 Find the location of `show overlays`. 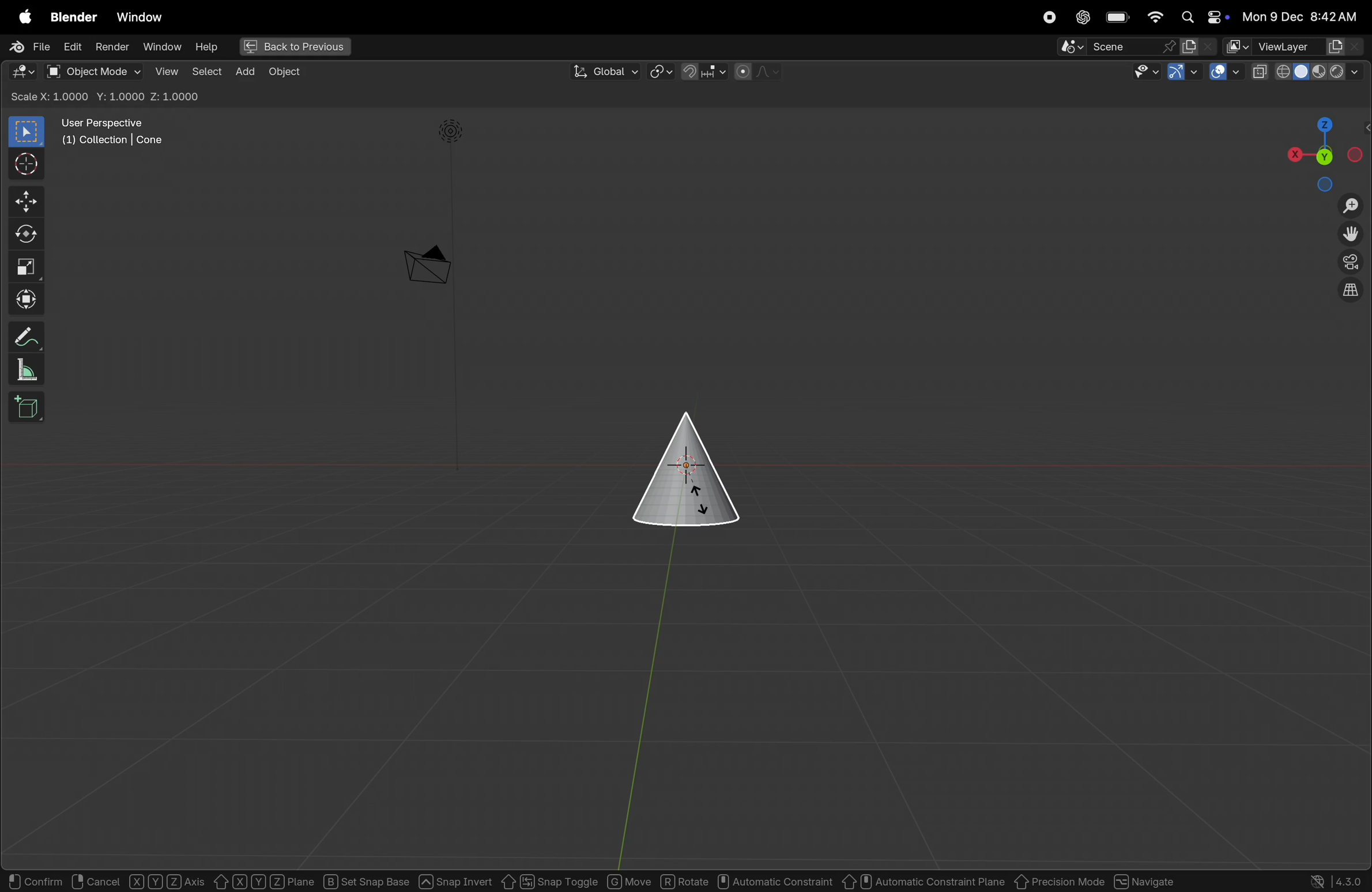

show overlays is located at coordinates (1226, 71).